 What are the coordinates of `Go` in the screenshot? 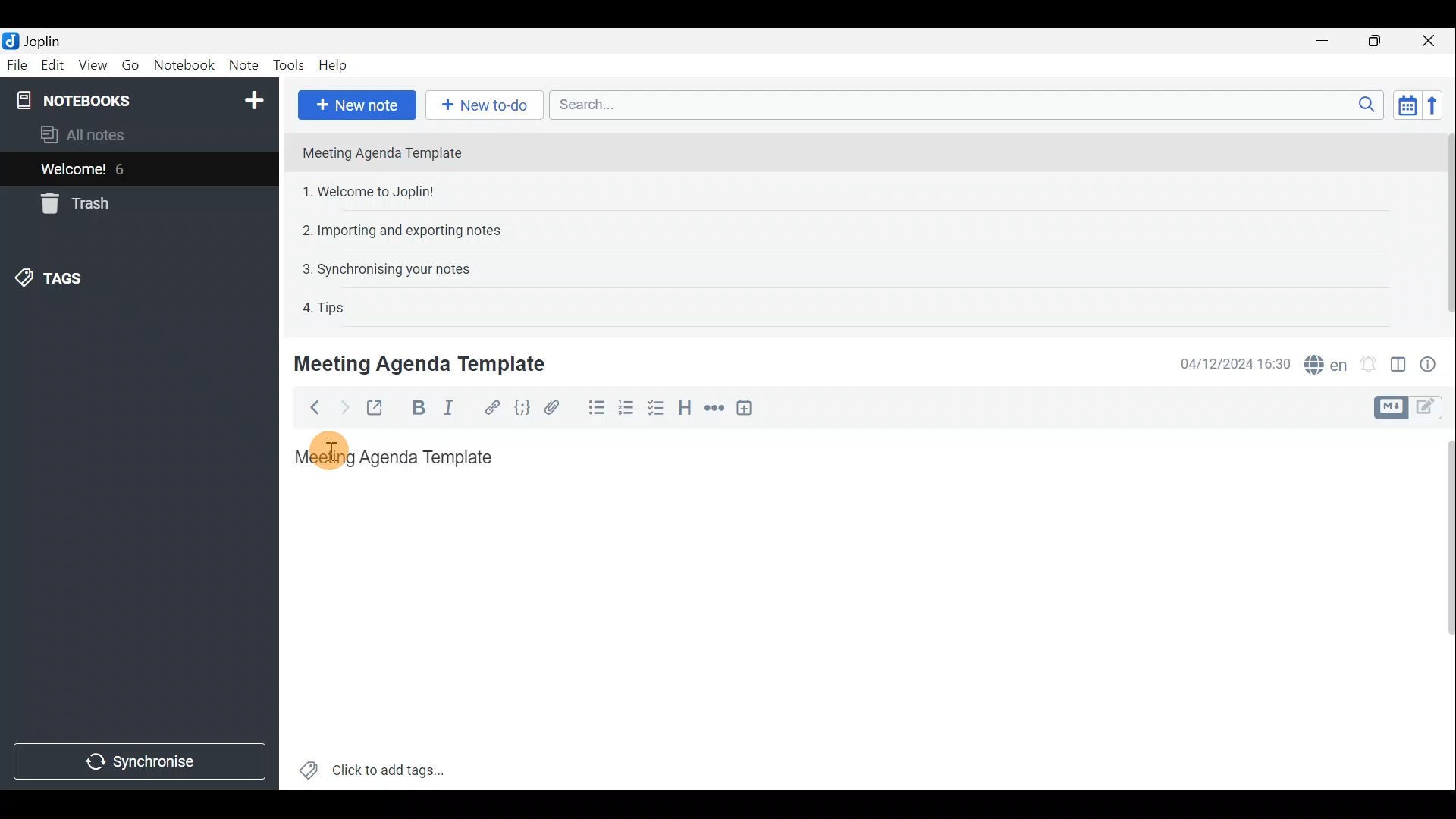 It's located at (130, 64).